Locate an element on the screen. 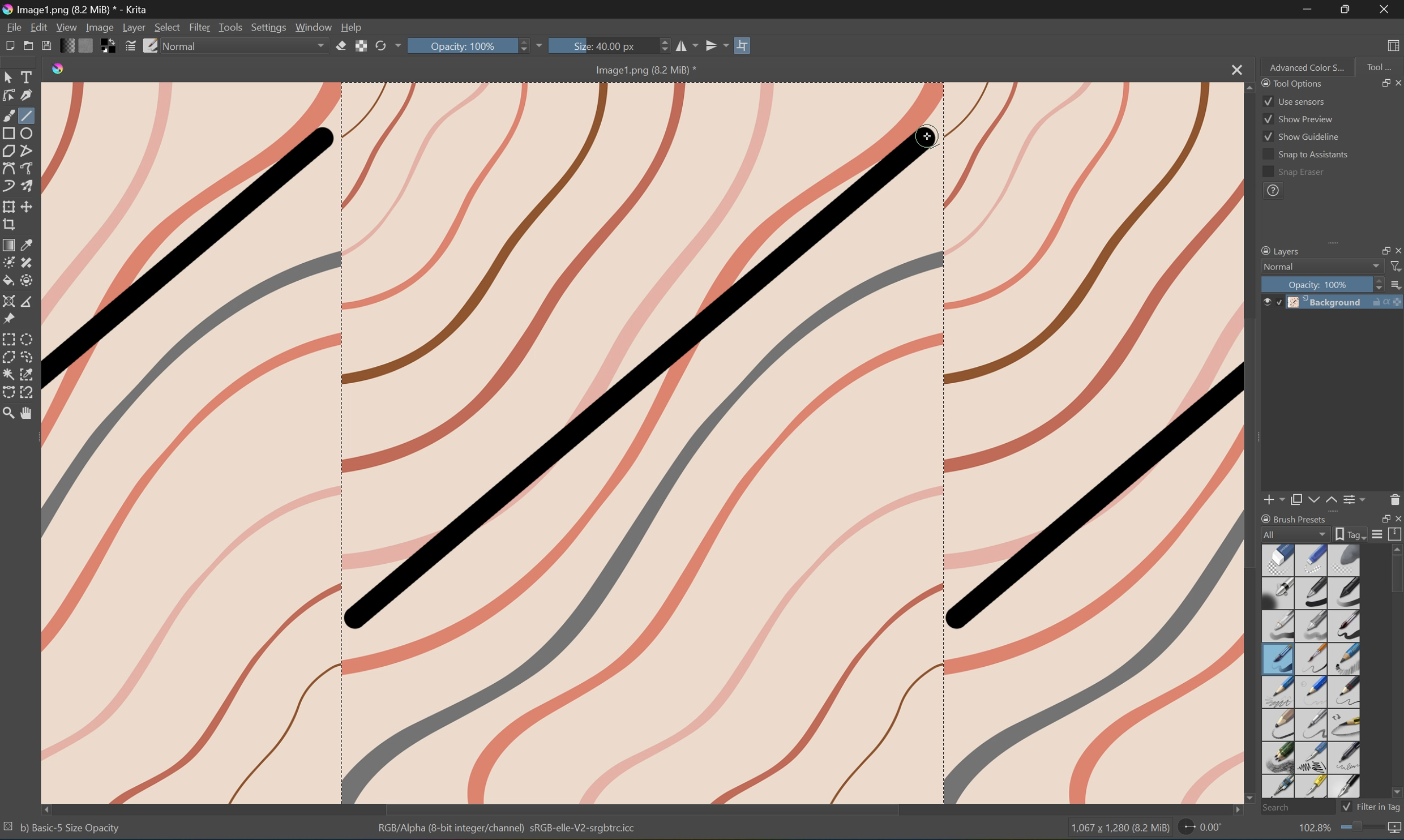 The image size is (1404, 840). Elliptical selection tool is located at coordinates (30, 338).